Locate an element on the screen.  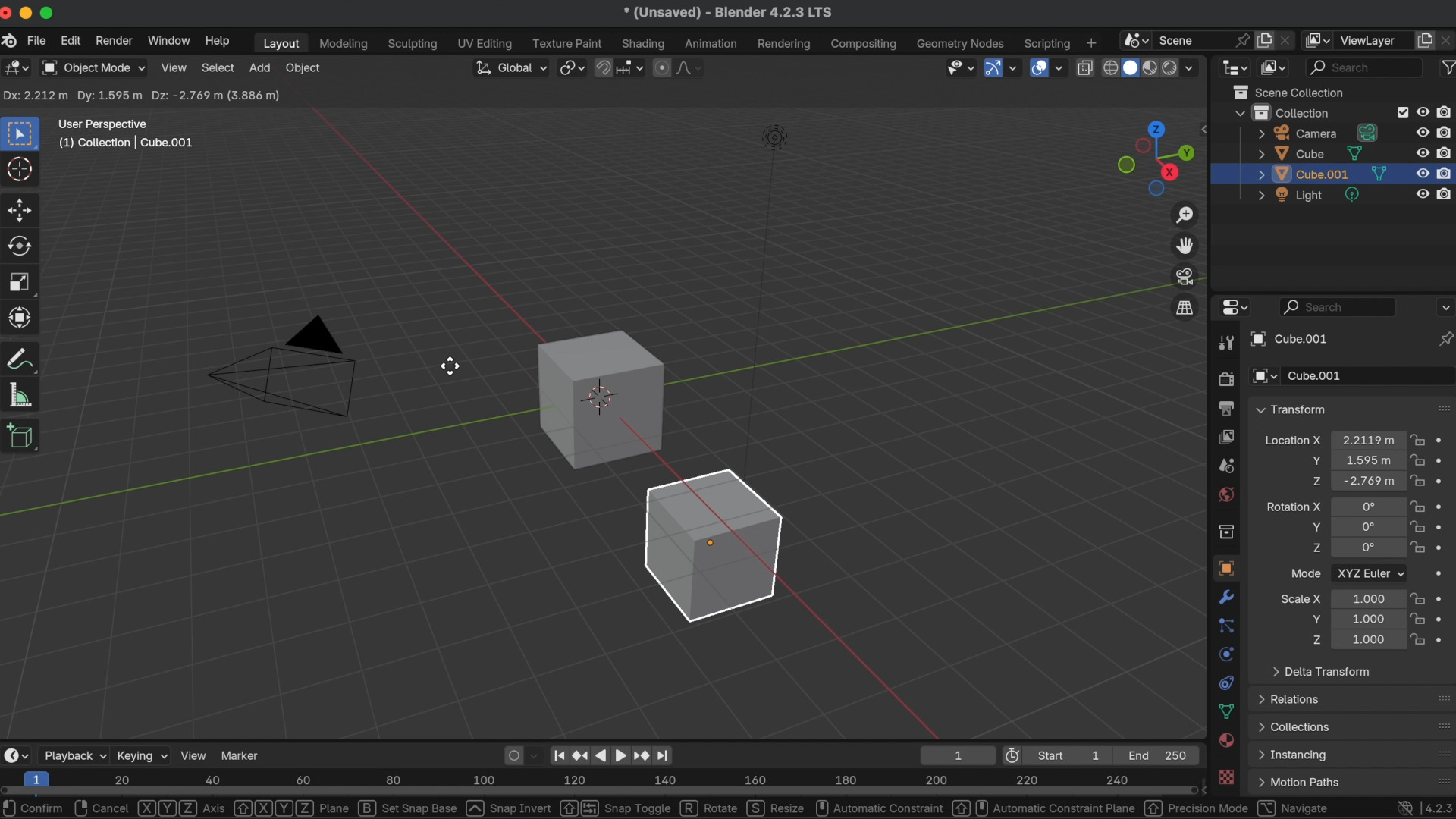
sculpting is located at coordinates (413, 45).